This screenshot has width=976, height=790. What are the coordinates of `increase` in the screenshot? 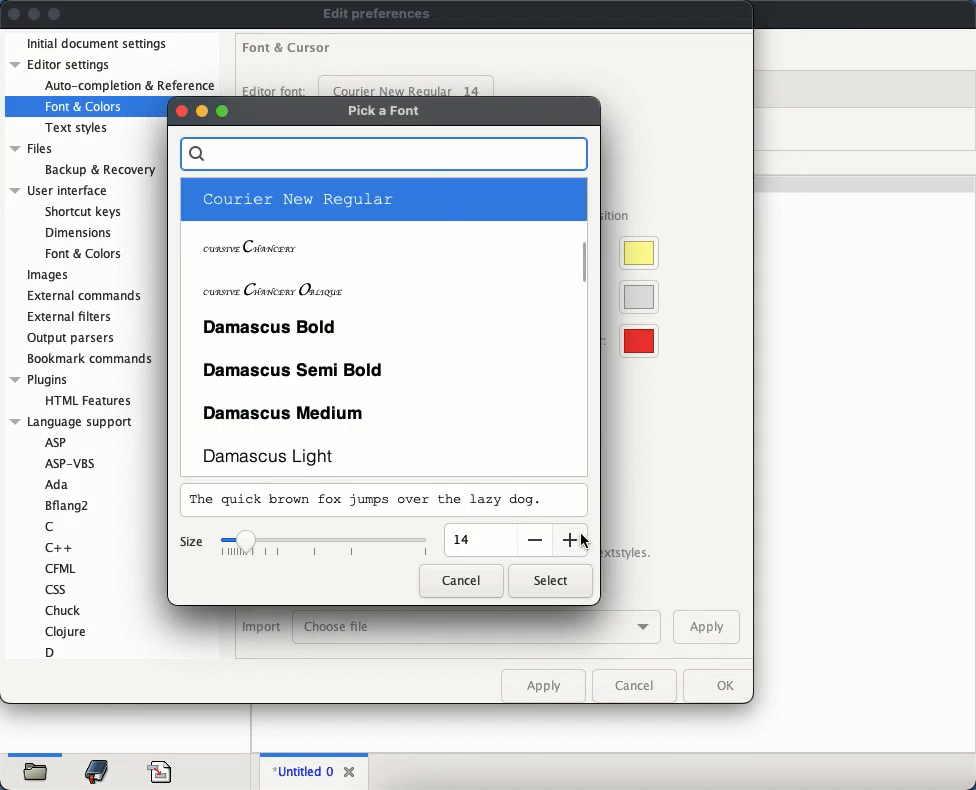 It's located at (569, 537).